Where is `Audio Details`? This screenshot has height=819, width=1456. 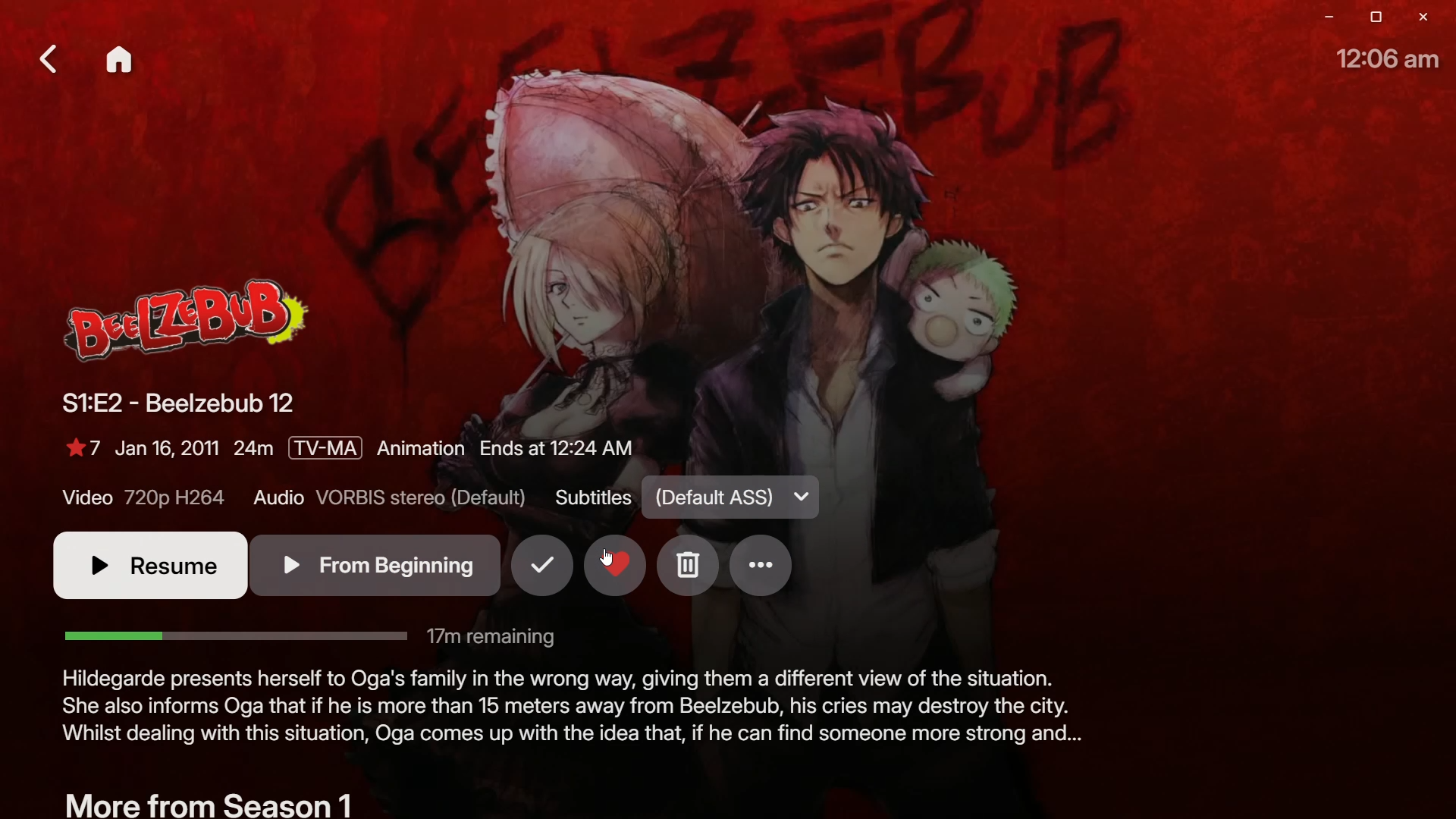 Audio Details is located at coordinates (390, 500).